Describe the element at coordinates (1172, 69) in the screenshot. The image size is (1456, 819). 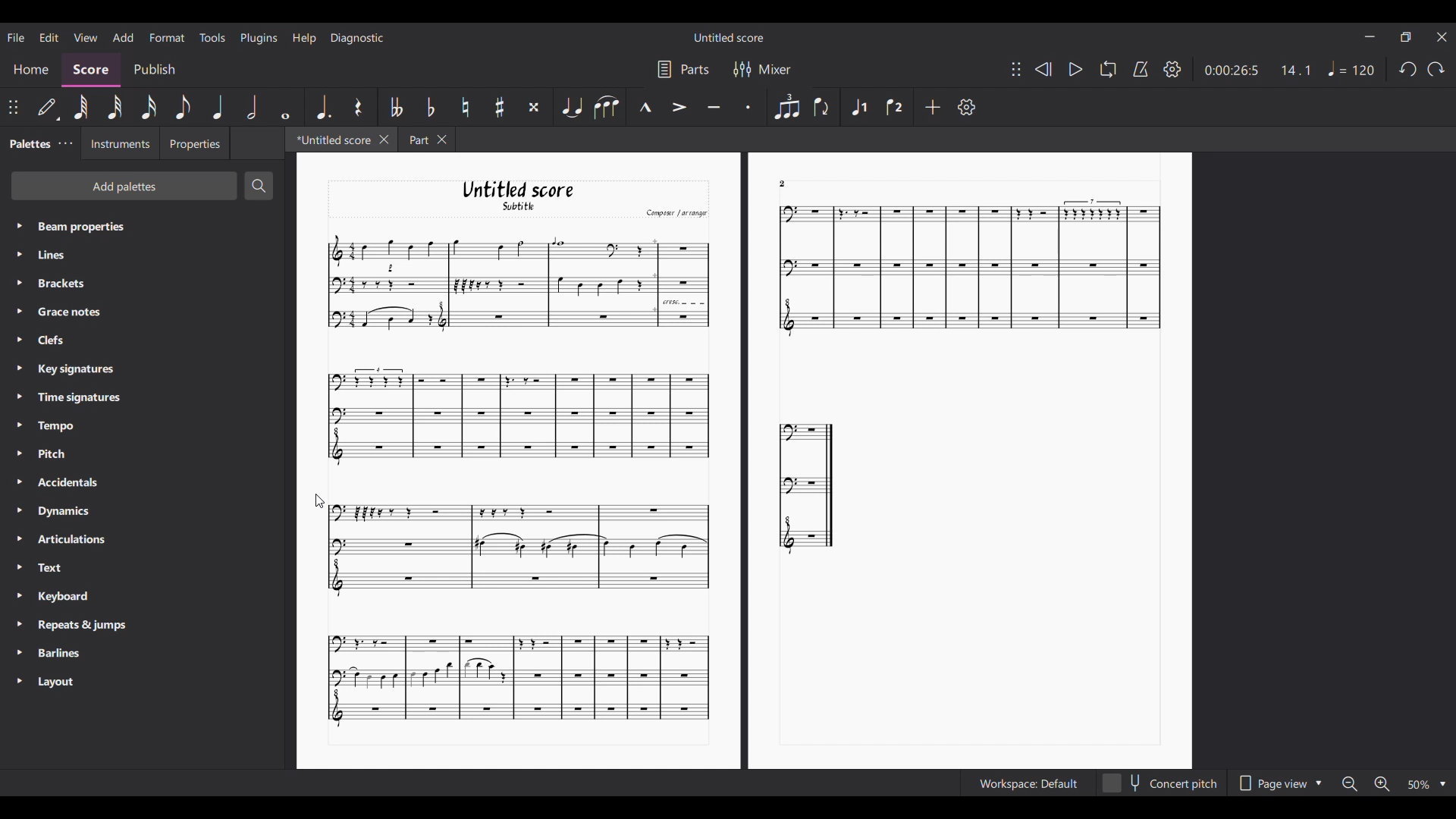
I see `Settings` at that location.